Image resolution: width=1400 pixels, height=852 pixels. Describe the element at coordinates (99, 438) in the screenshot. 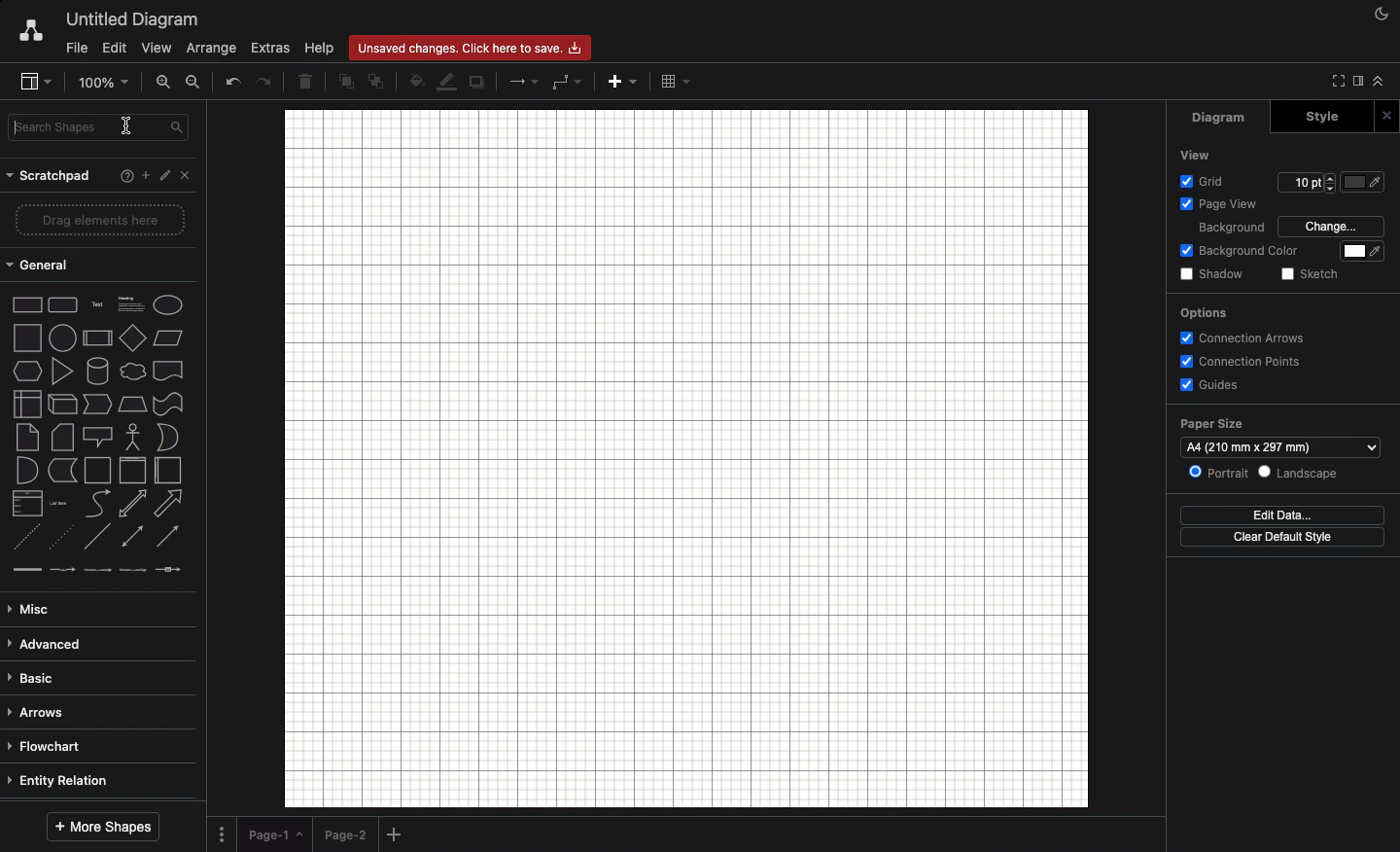

I see `shape` at that location.